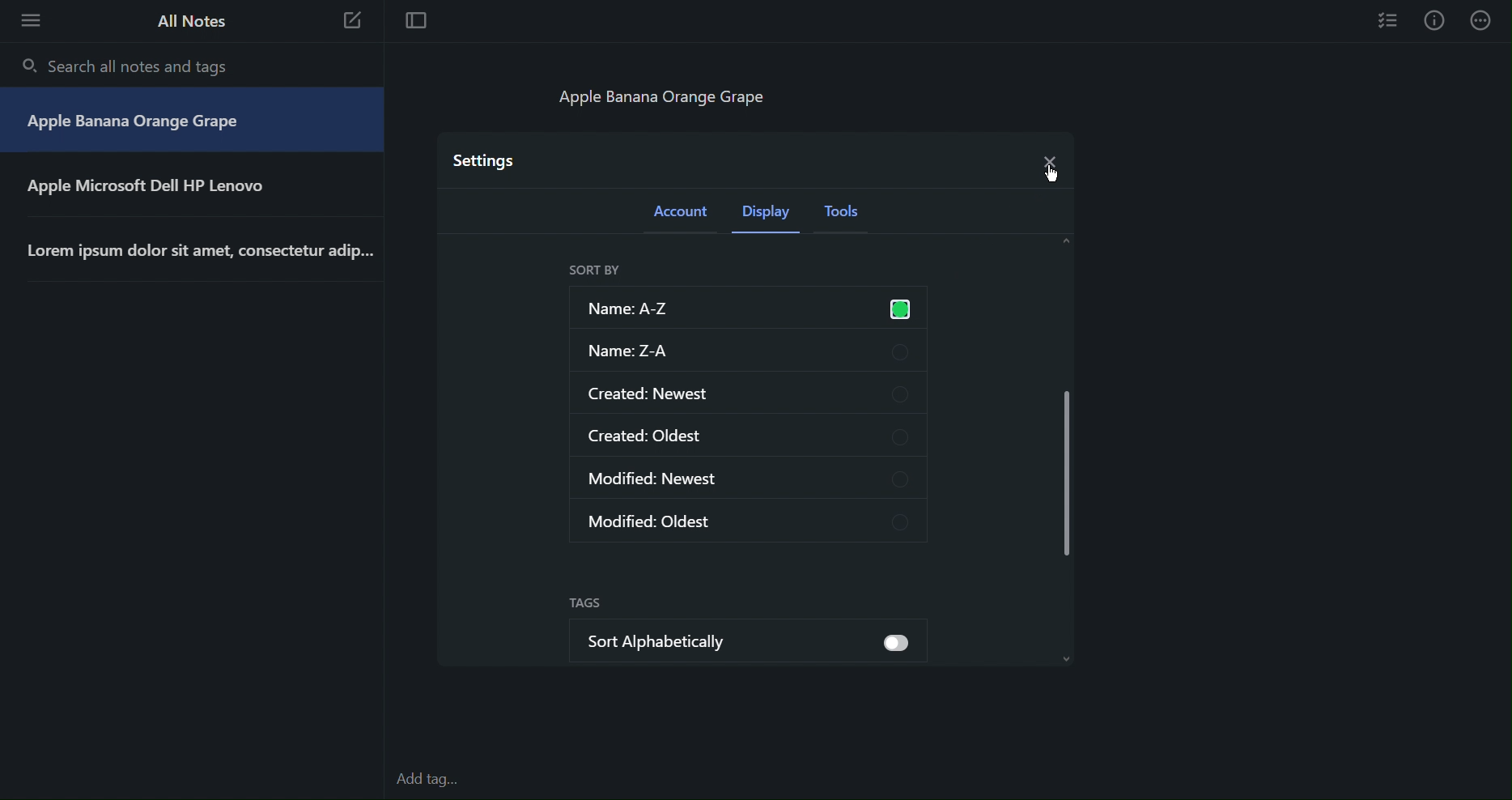  I want to click on Apple Microsoft Dell HP Lenovo, so click(161, 187).